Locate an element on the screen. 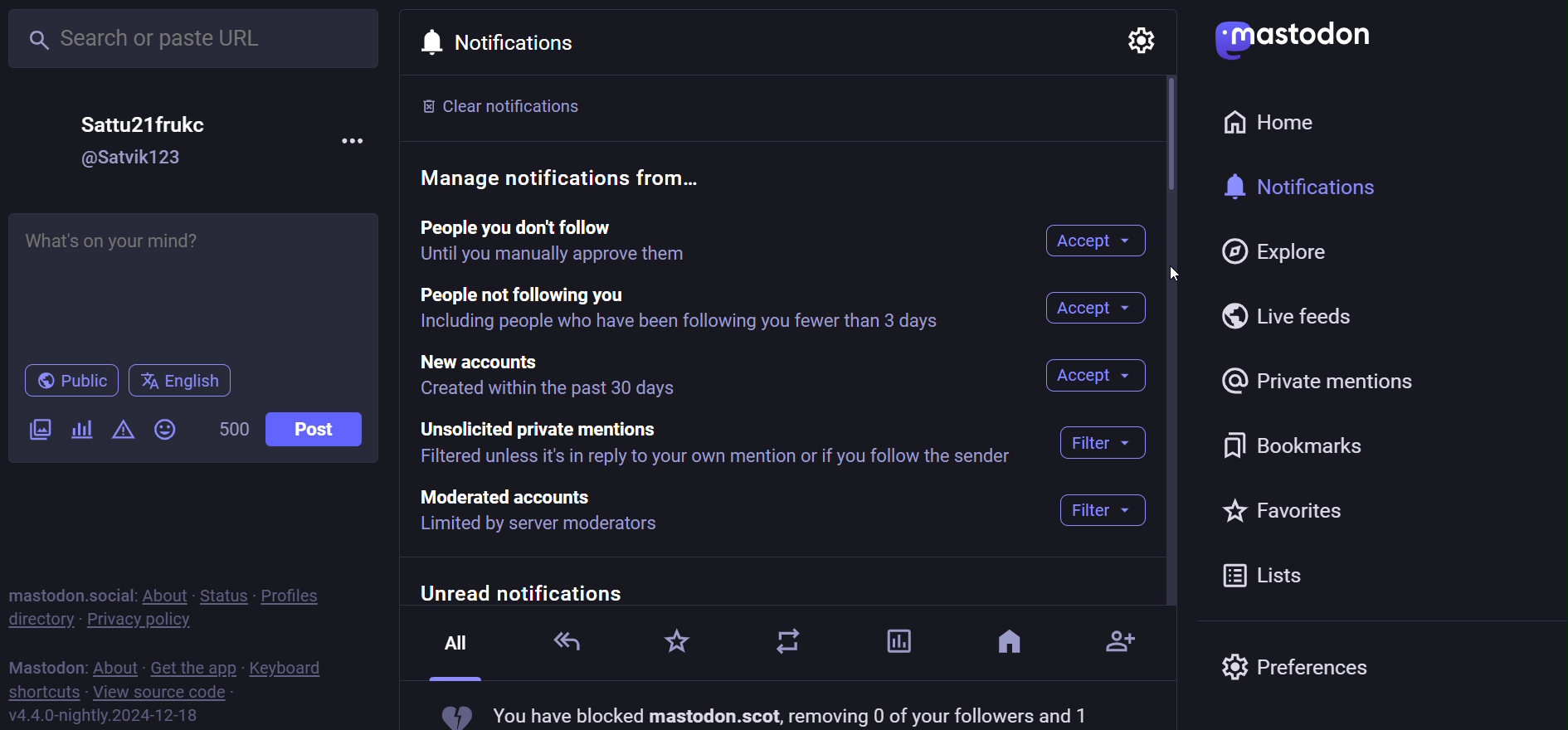 The width and height of the screenshot is (1568, 730). home is located at coordinates (1281, 123).